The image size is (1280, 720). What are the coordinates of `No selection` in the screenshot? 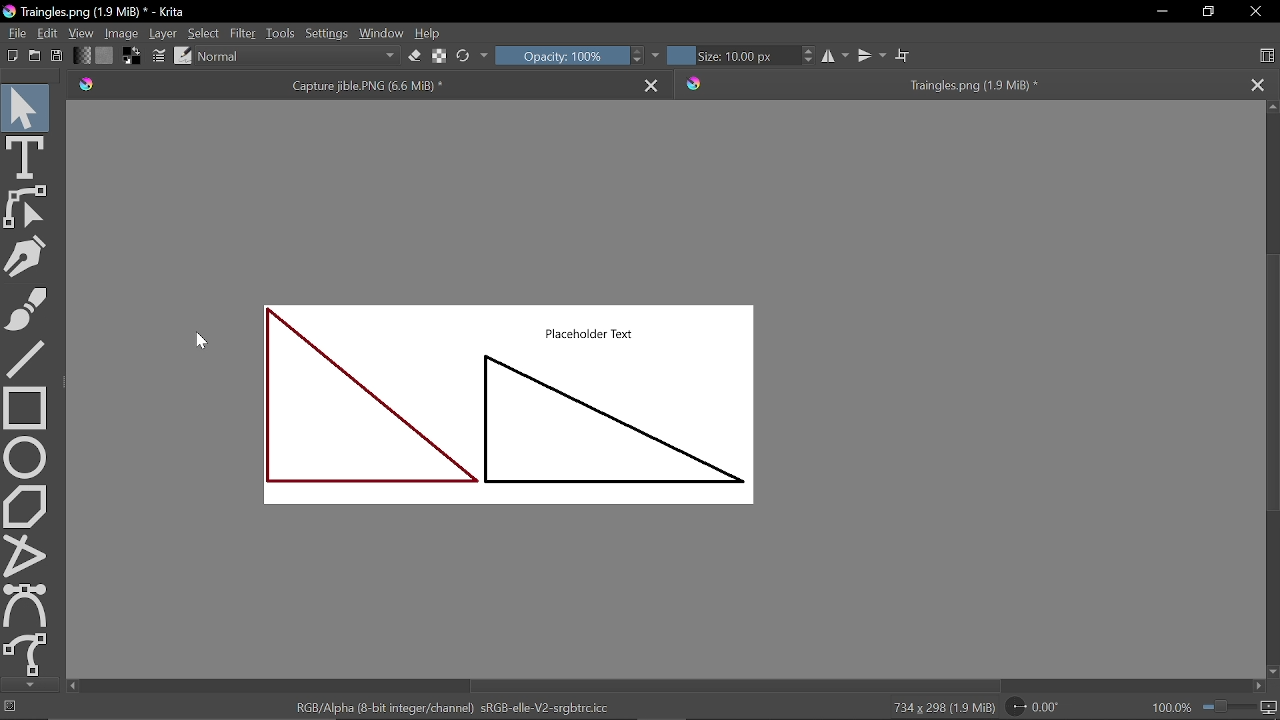 It's located at (10, 706).